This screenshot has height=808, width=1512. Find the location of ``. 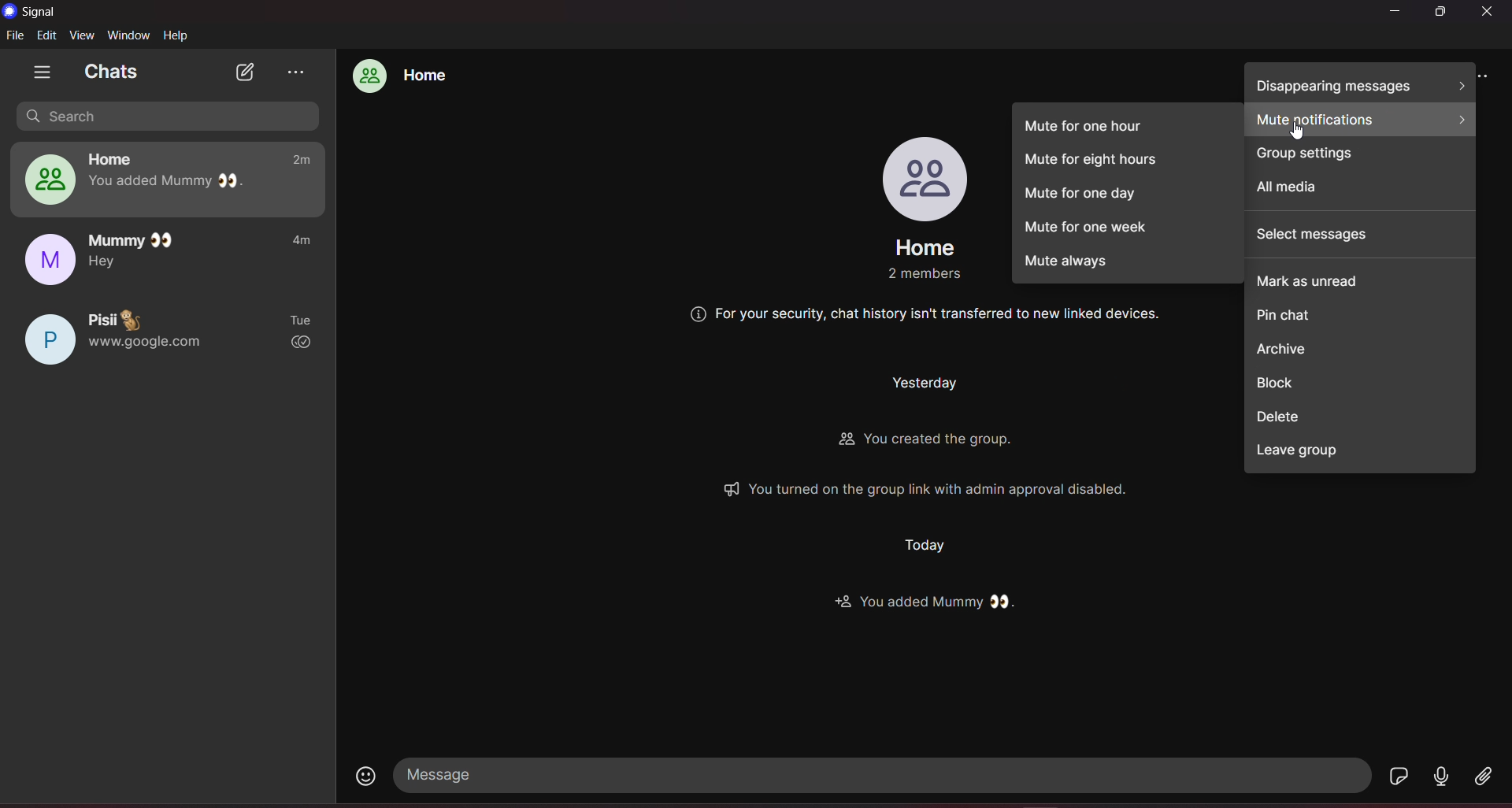

 is located at coordinates (928, 276).